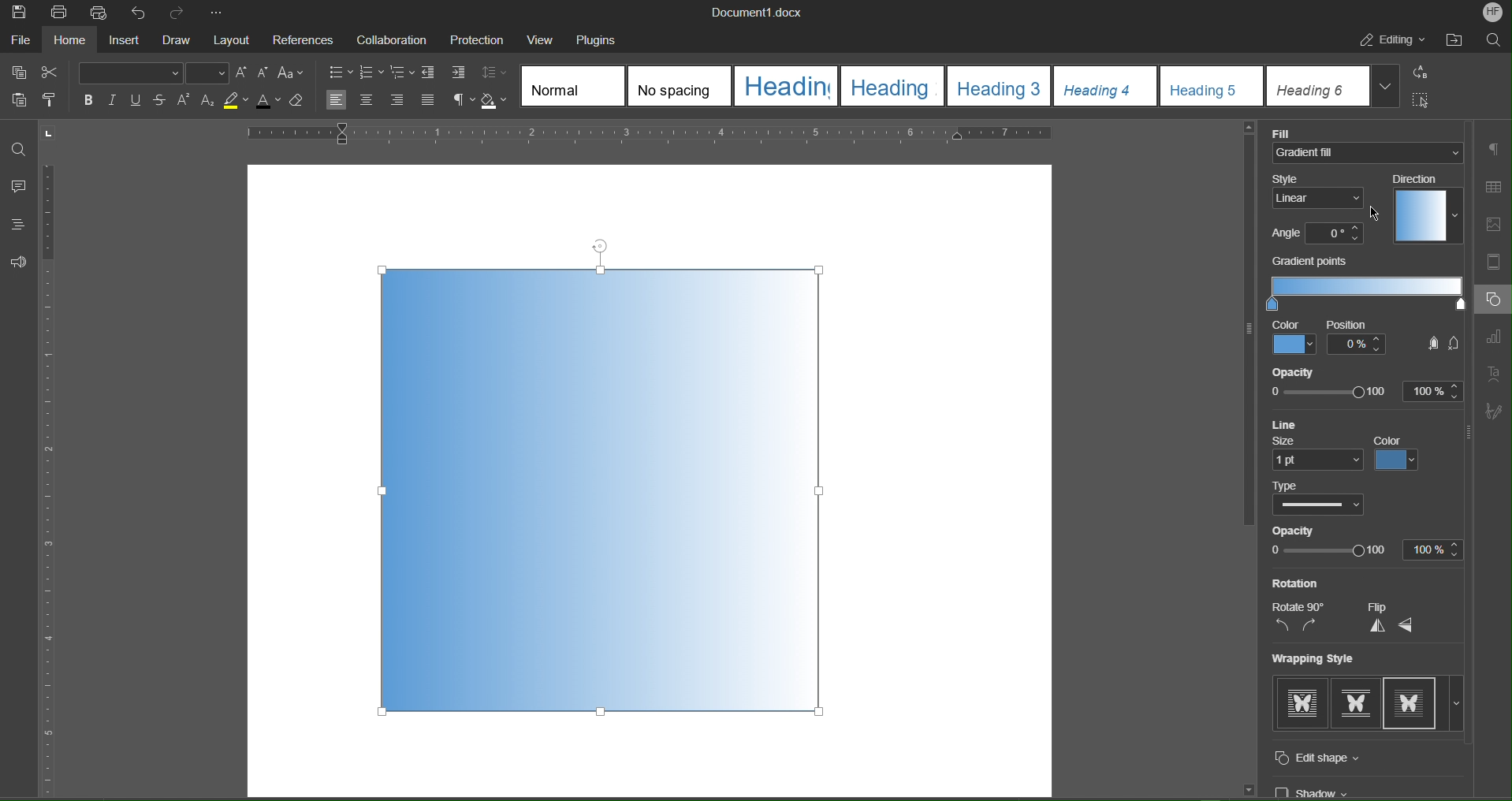 Image resolution: width=1512 pixels, height=801 pixels. What do you see at coordinates (1424, 73) in the screenshot?
I see `Replace` at bounding box center [1424, 73].